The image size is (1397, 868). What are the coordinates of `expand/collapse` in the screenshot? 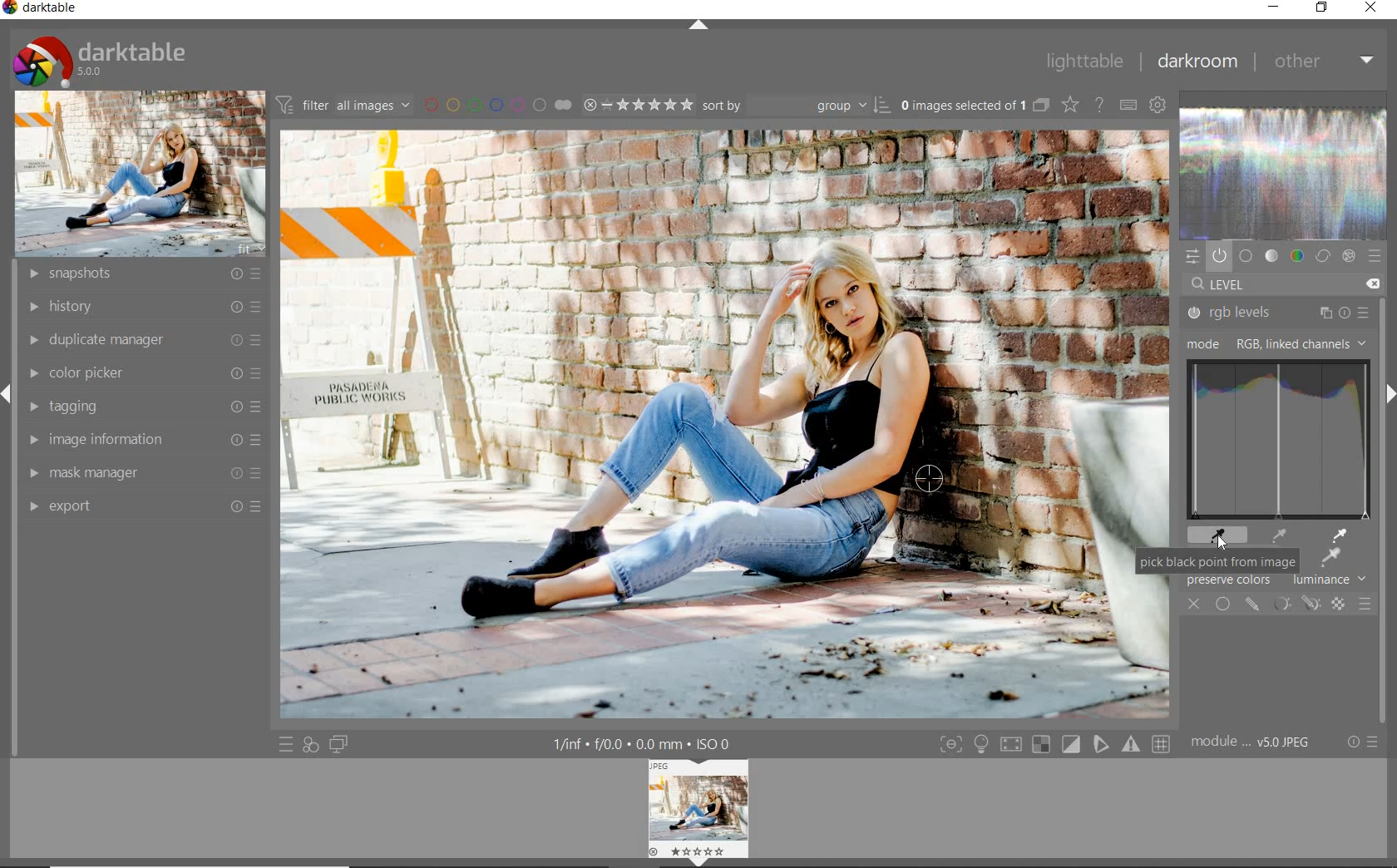 It's located at (1390, 396).